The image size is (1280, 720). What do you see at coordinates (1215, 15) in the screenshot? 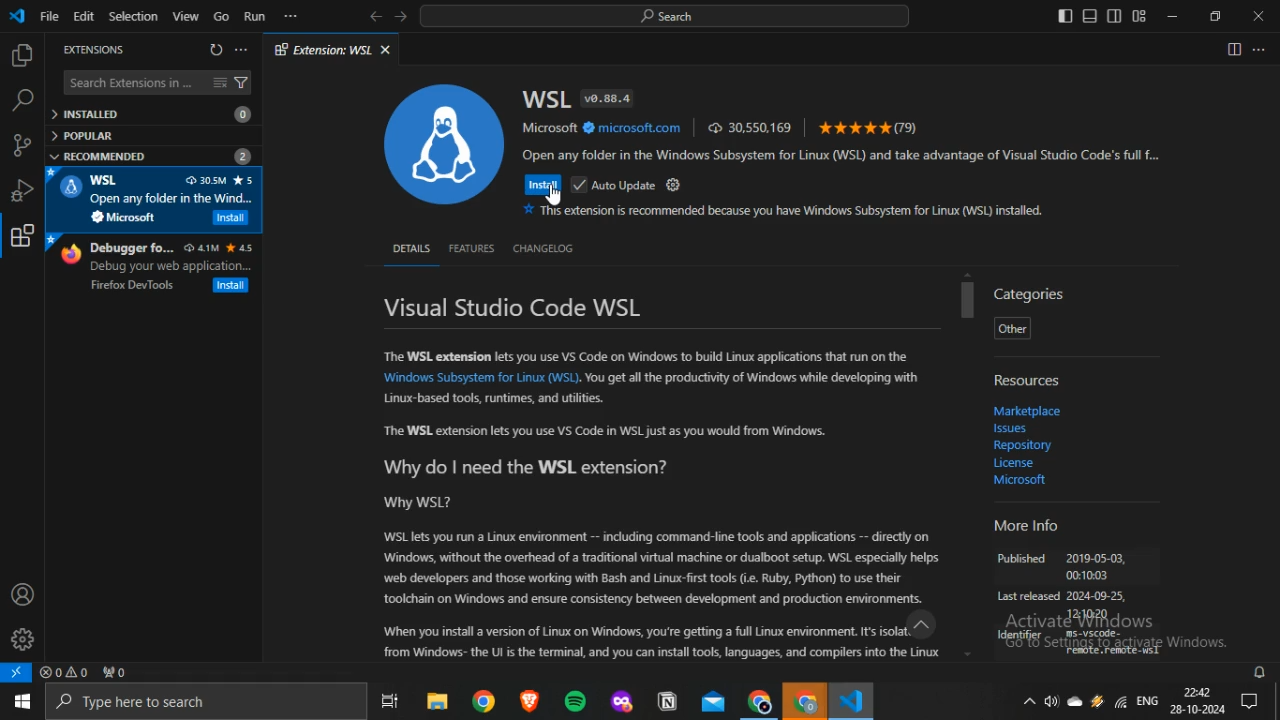
I see `restore` at bounding box center [1215, 15].